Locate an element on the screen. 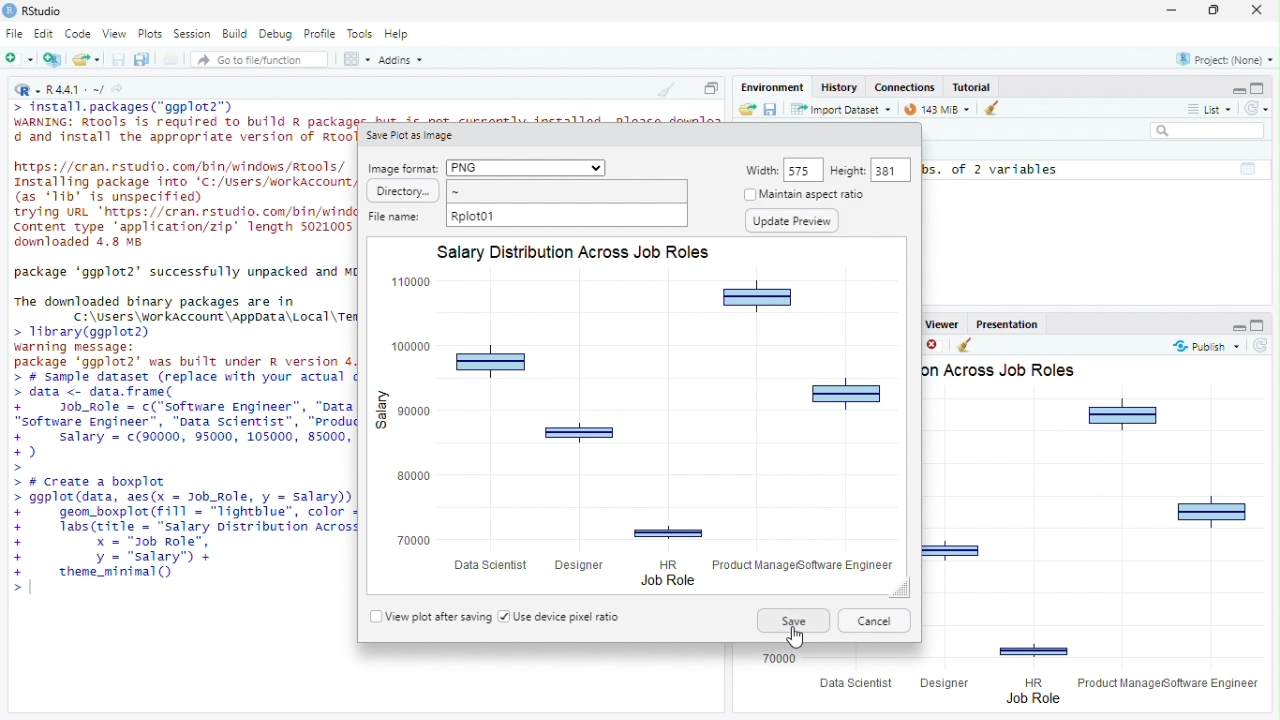 Image resolution: width=1280 pixels, height=720 pixels. Clear all plots is located at coordinates (969, 345).